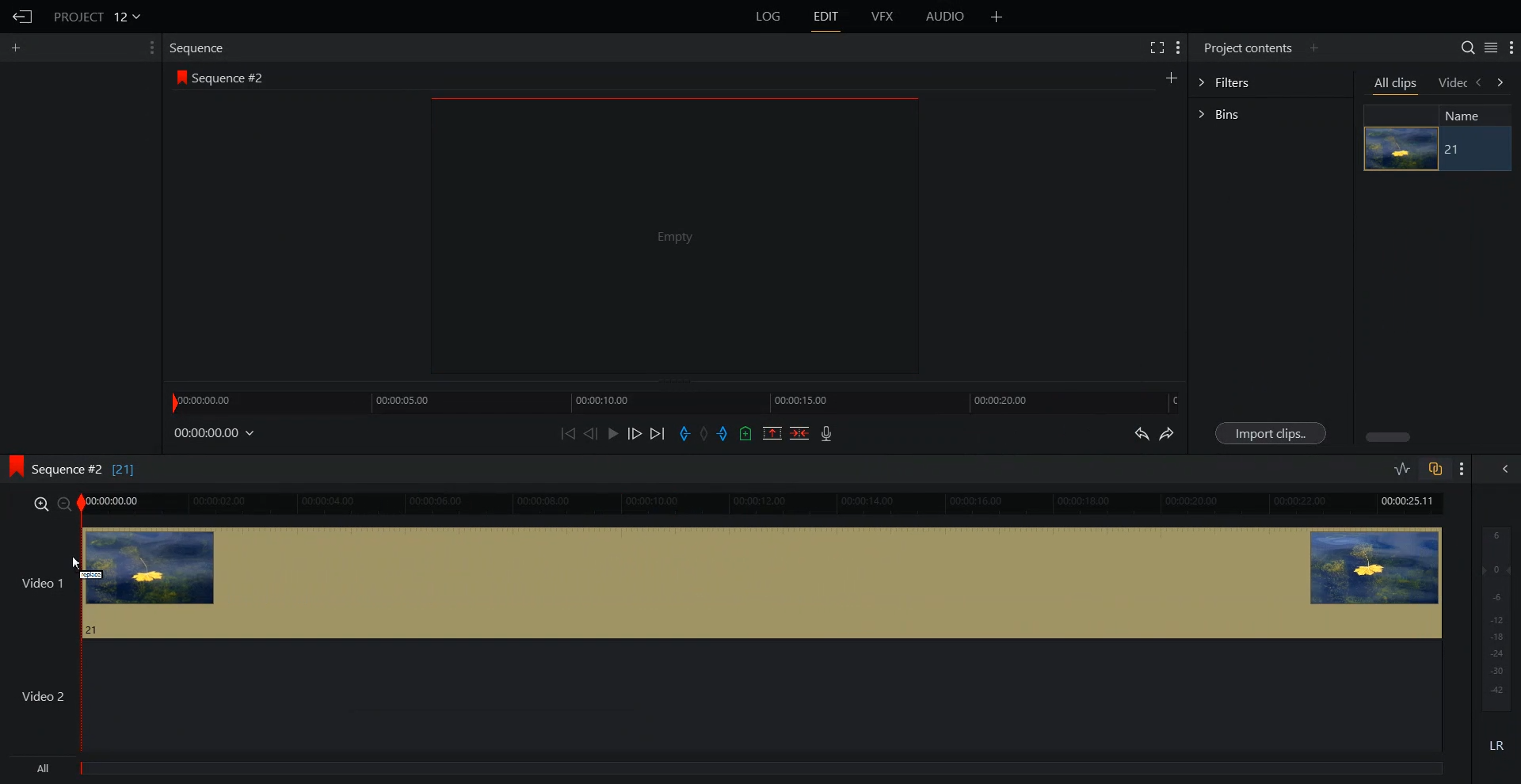 The height and width of the screenshot is (784, 1521). I want to click on Undo, so click(1142, 433).